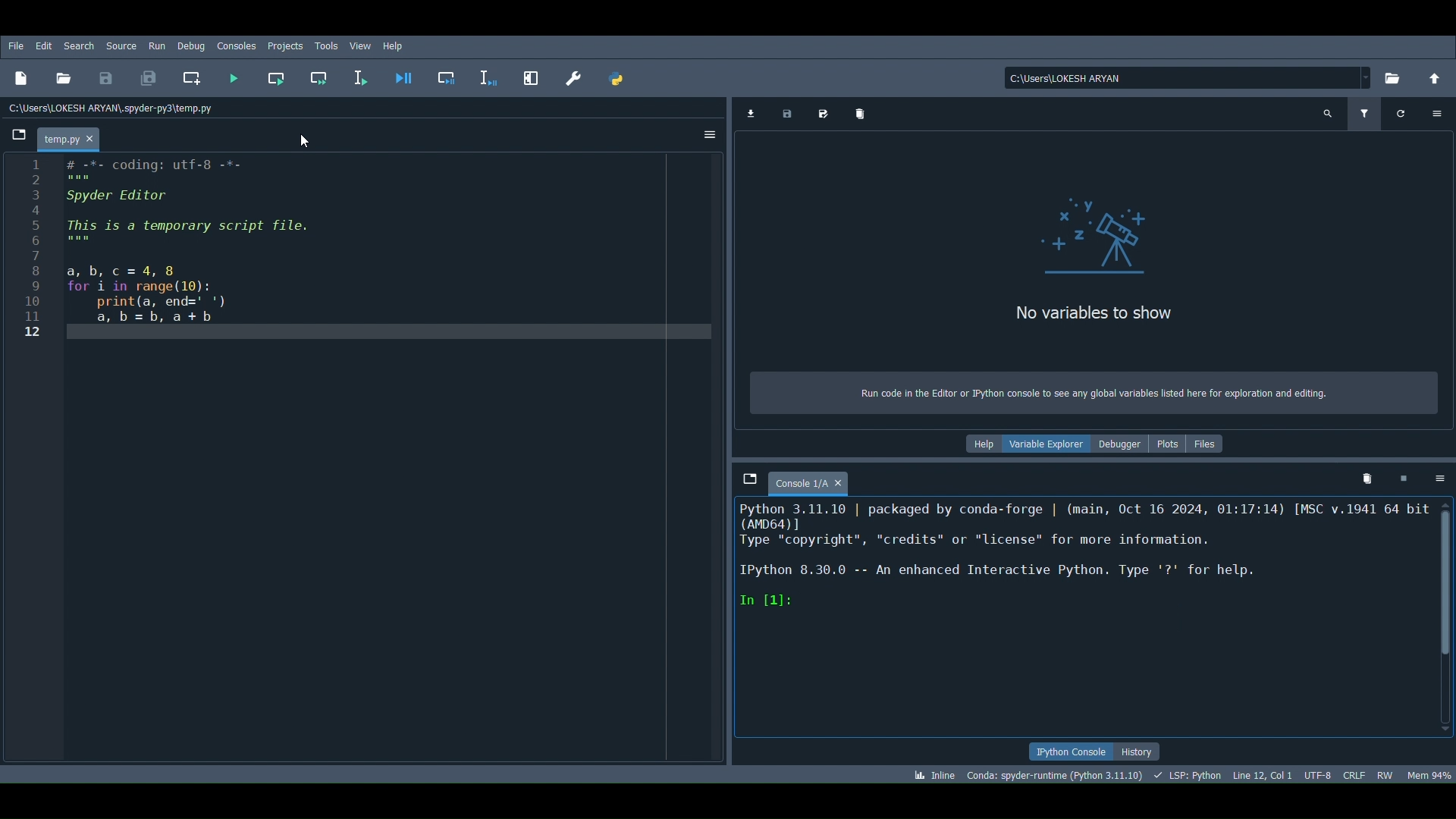 Image resolution: width=1456 pixels, height=819 pixels. What do you see at coordinates (1403, 479) in the screenshot?
I see `Interrupt kernel` at bounding box center [1403, 479].